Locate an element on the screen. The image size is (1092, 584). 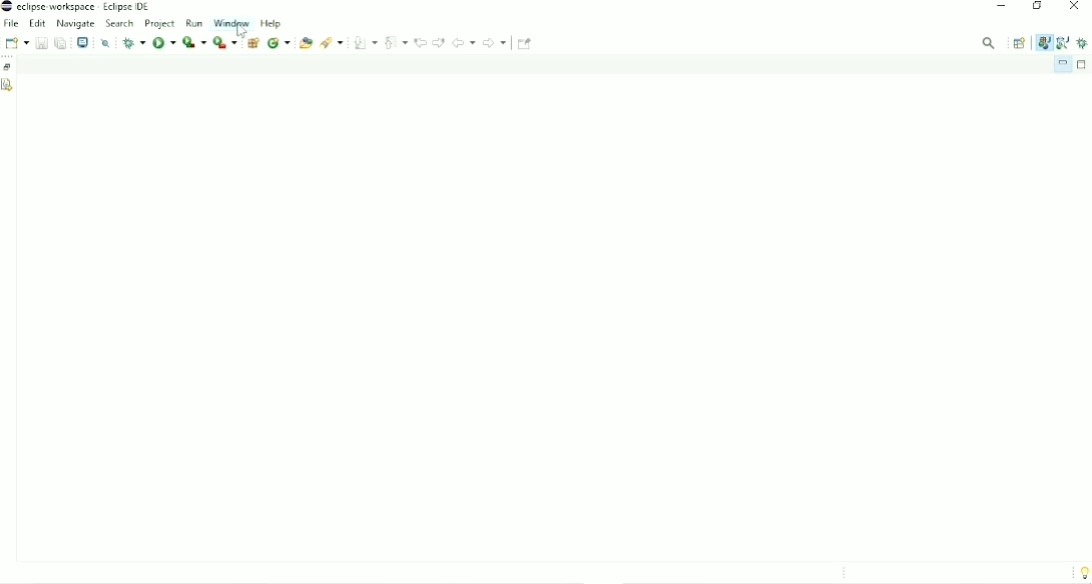
Jav is located at coordinates (1043, 44).